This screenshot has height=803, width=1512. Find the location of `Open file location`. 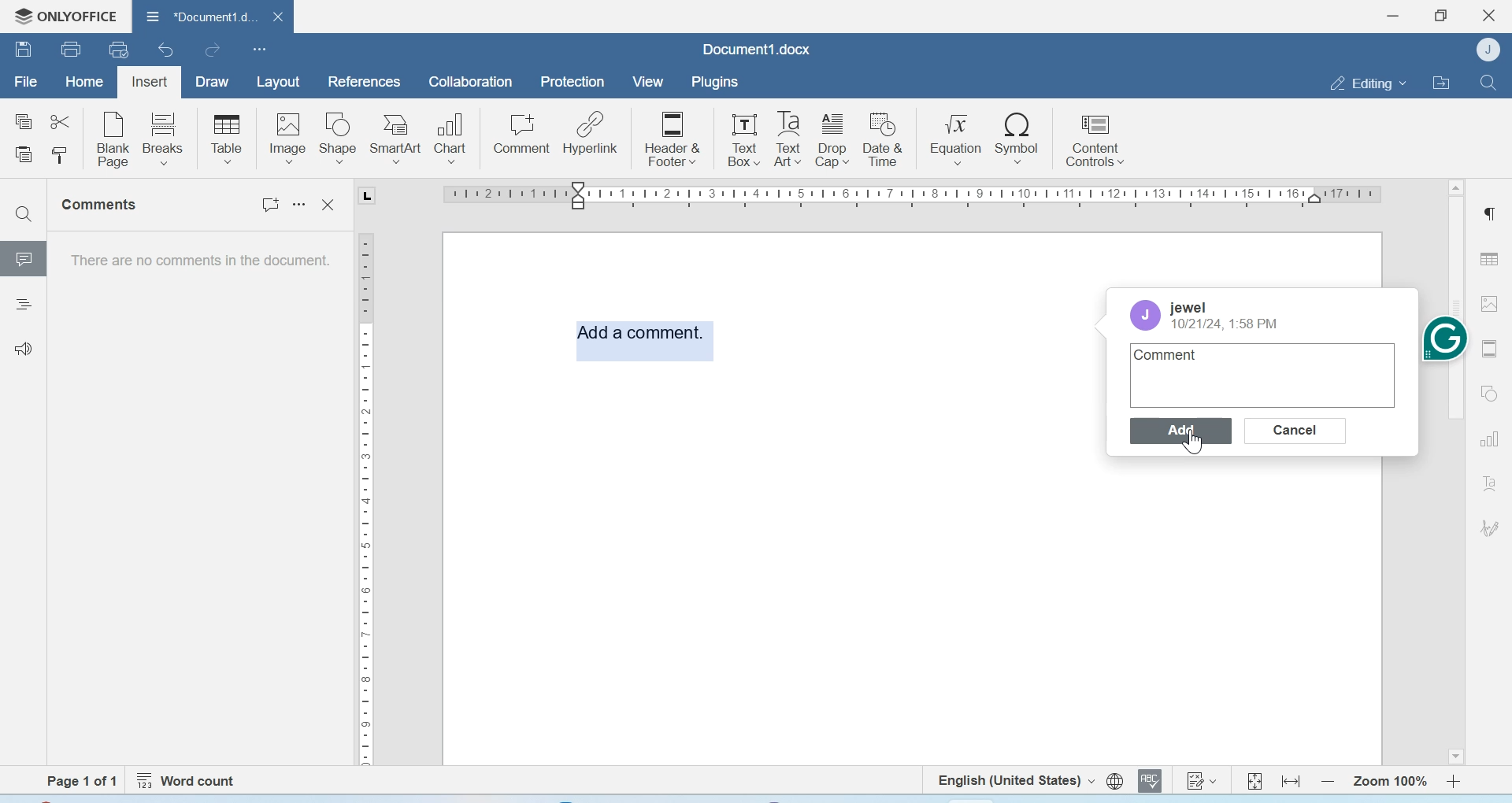

Open file location is located at coordinates (1441, 82).